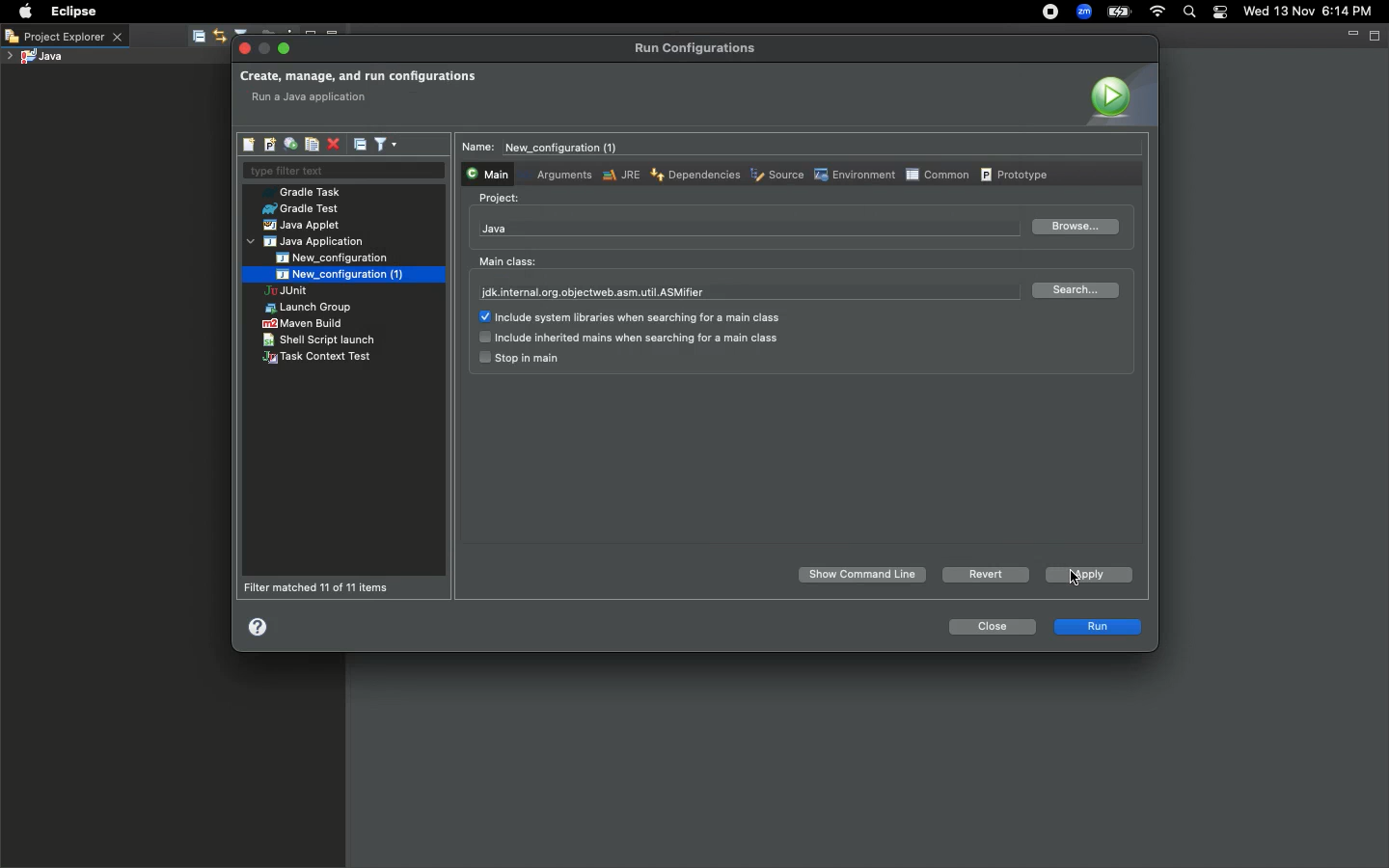 This screenshot has width=1389, height=868. Describe the element at coordinates (299, 209) in the screenshot. I see `Grade test` at that location.